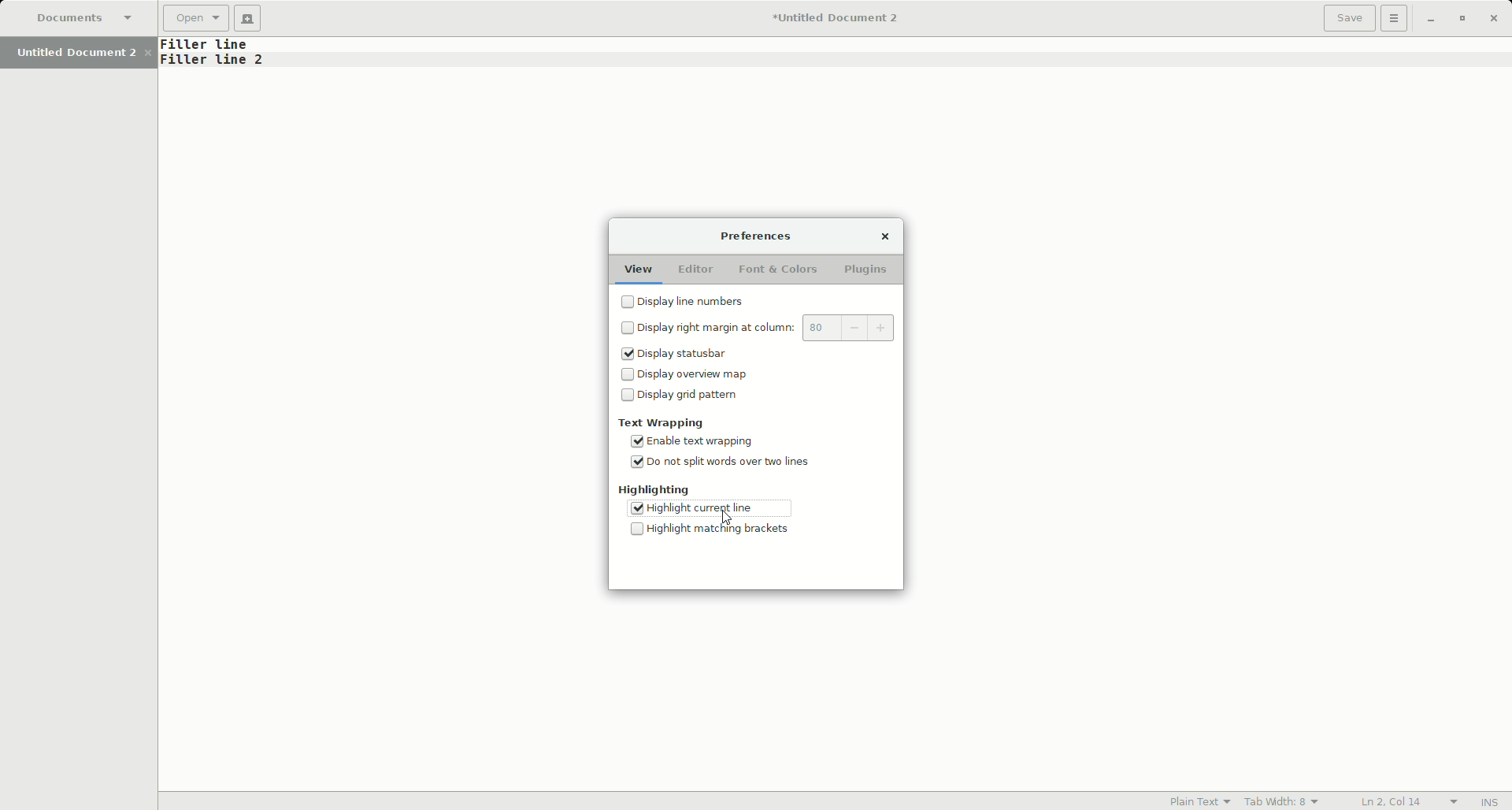  Describe the element at coordinates (636, 507) in the screenshot. I see `Tick` at that location.